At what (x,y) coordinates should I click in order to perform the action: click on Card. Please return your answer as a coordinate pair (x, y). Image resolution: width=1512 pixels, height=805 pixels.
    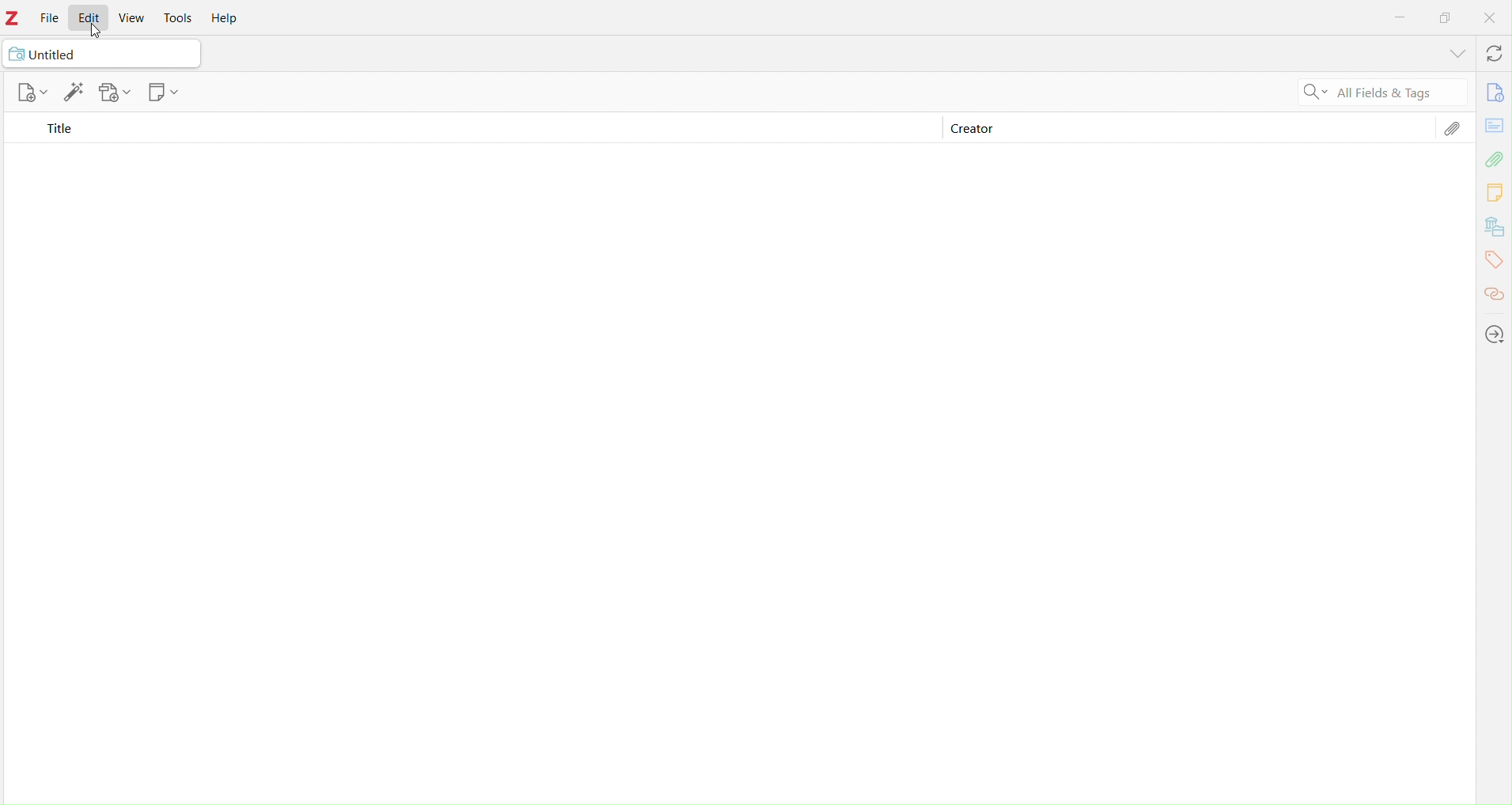
    Looking at the image, I should click on (1495, 124).